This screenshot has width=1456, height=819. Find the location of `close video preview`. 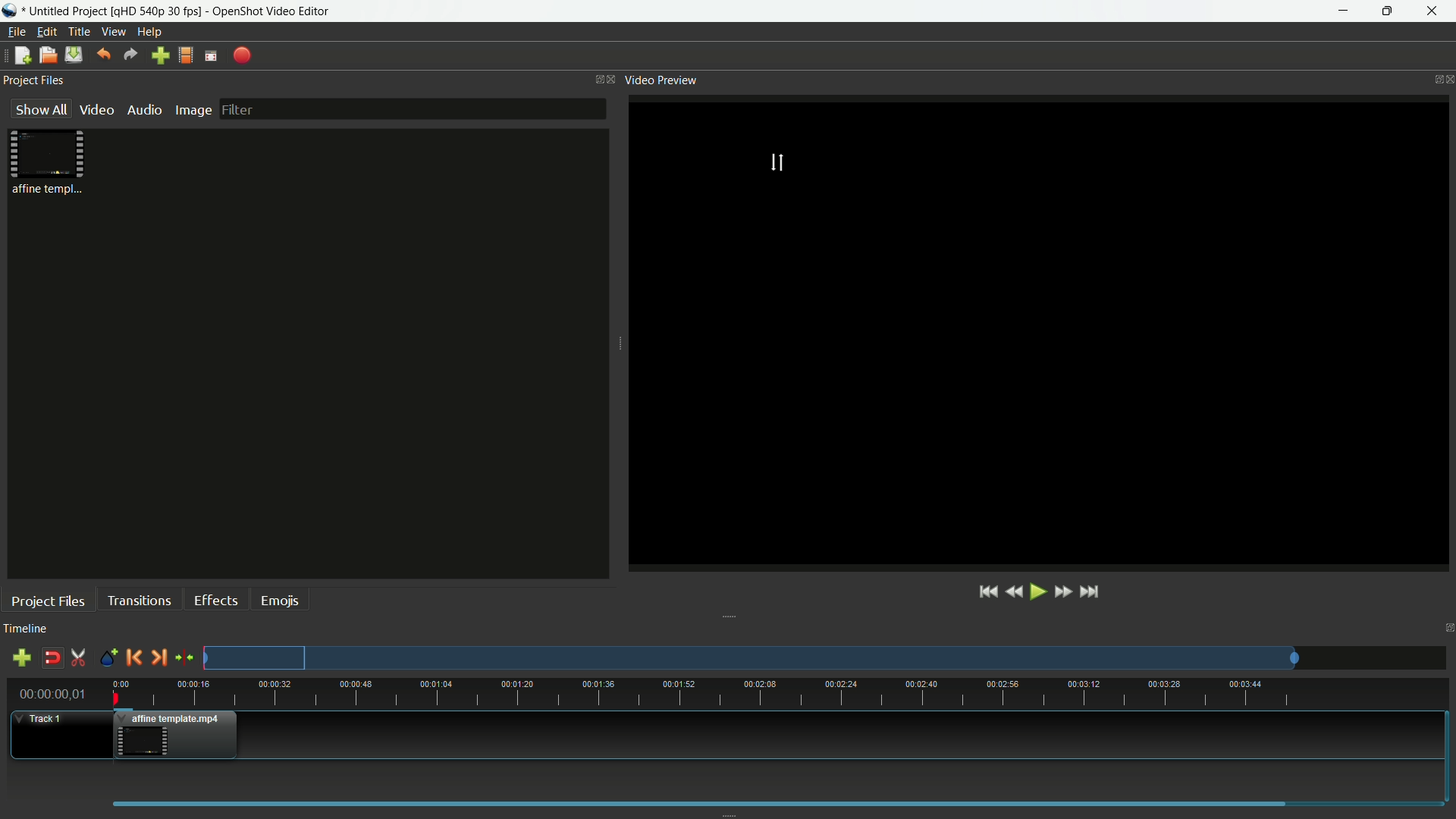

close video preview is located at coordinates (1447, 78).